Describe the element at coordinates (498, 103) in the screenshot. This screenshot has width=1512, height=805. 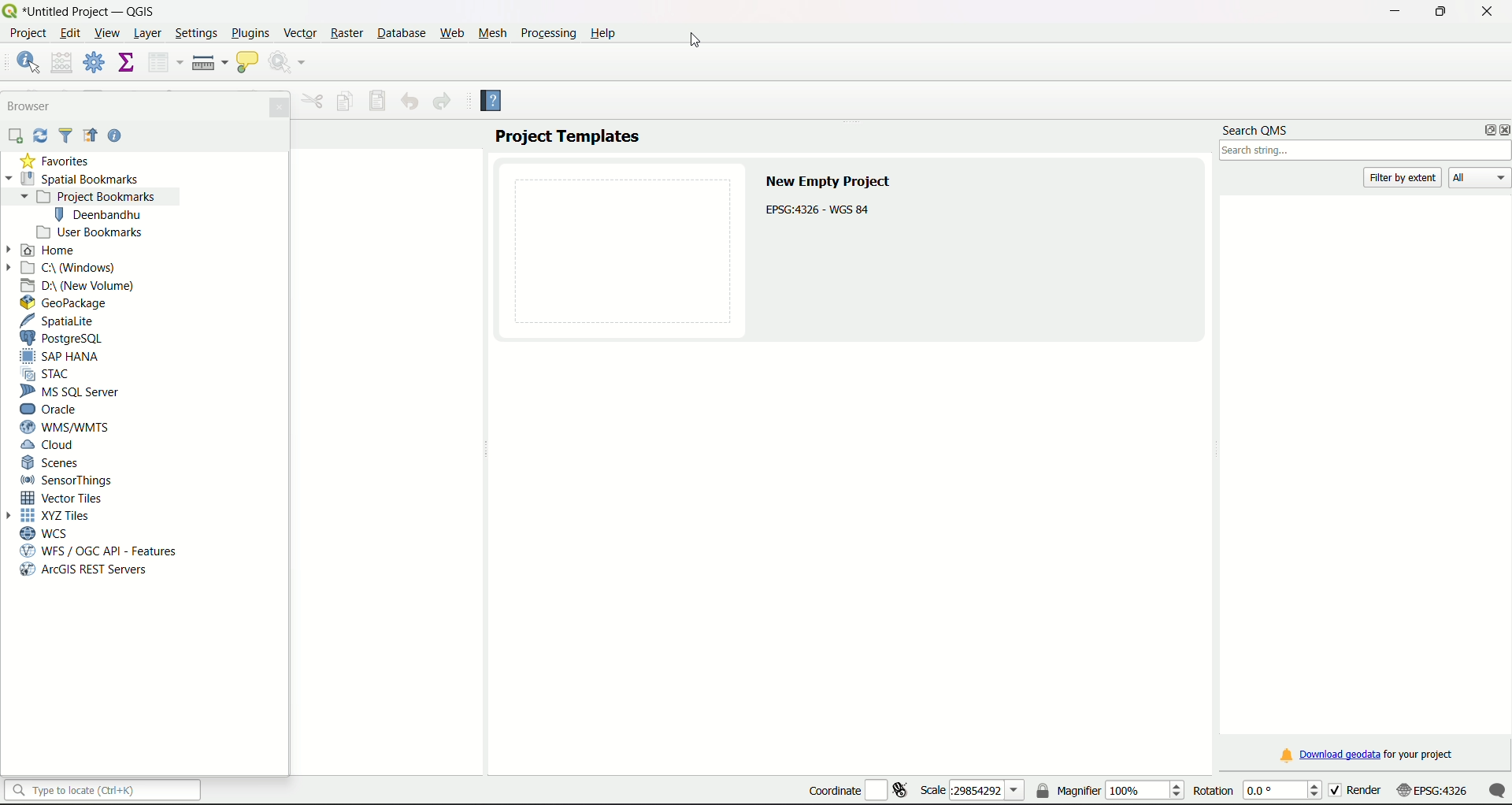
I see `Help` at that location.